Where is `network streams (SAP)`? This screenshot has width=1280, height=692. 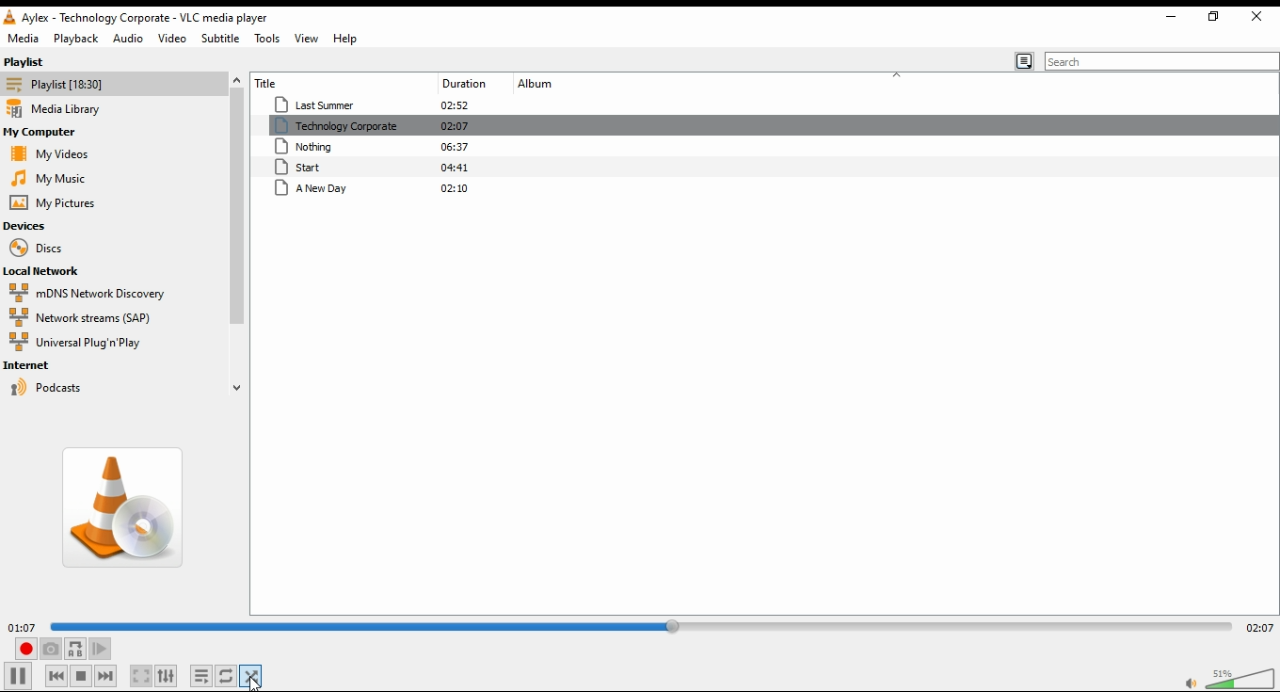 network streams (SAP) is located at coordinates (83, 316).